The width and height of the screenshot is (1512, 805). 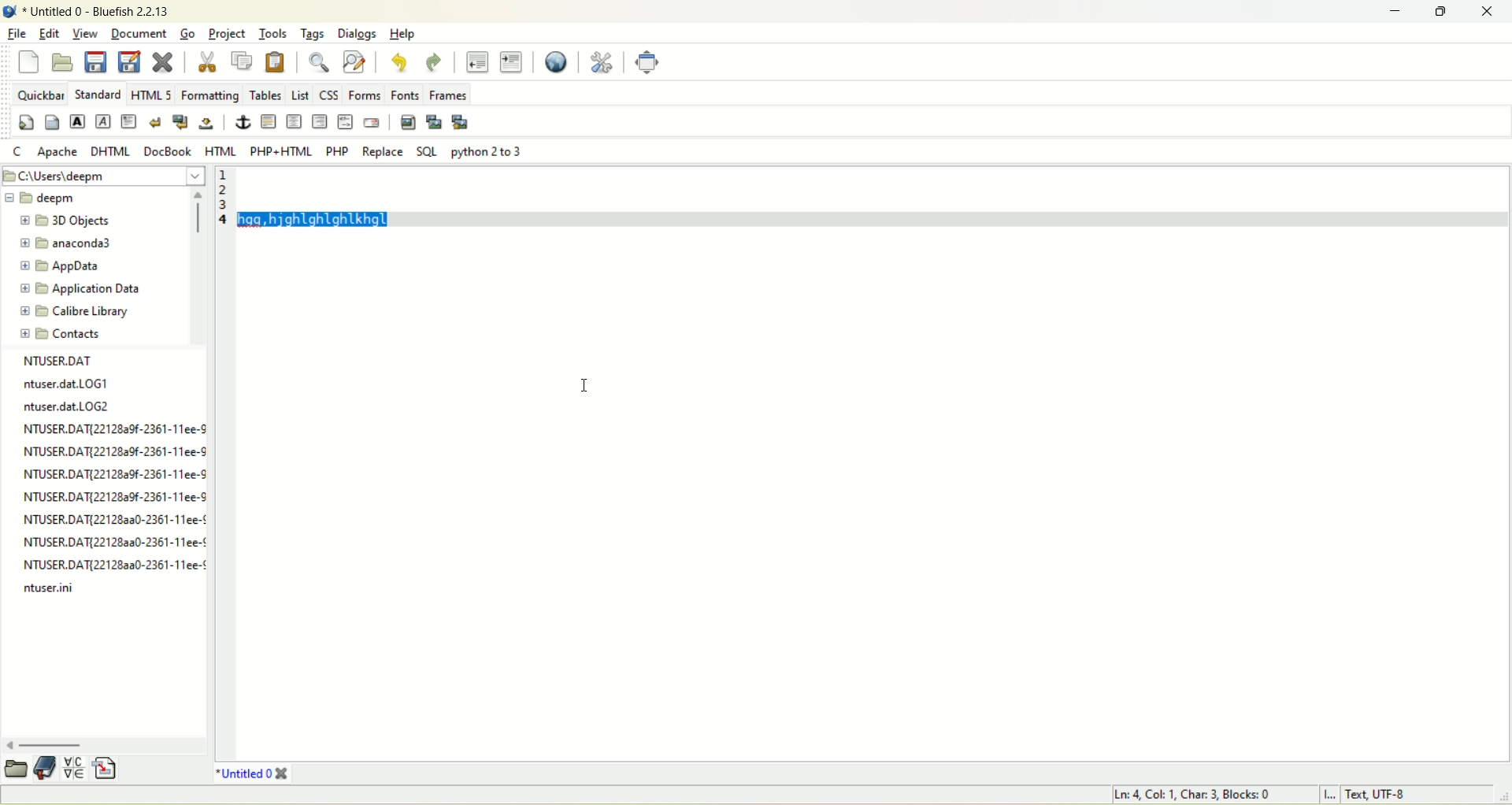 What do you see at coordinates (477, 61) in the screenshot?
I see `unindent` at bounding box center [477, 61].